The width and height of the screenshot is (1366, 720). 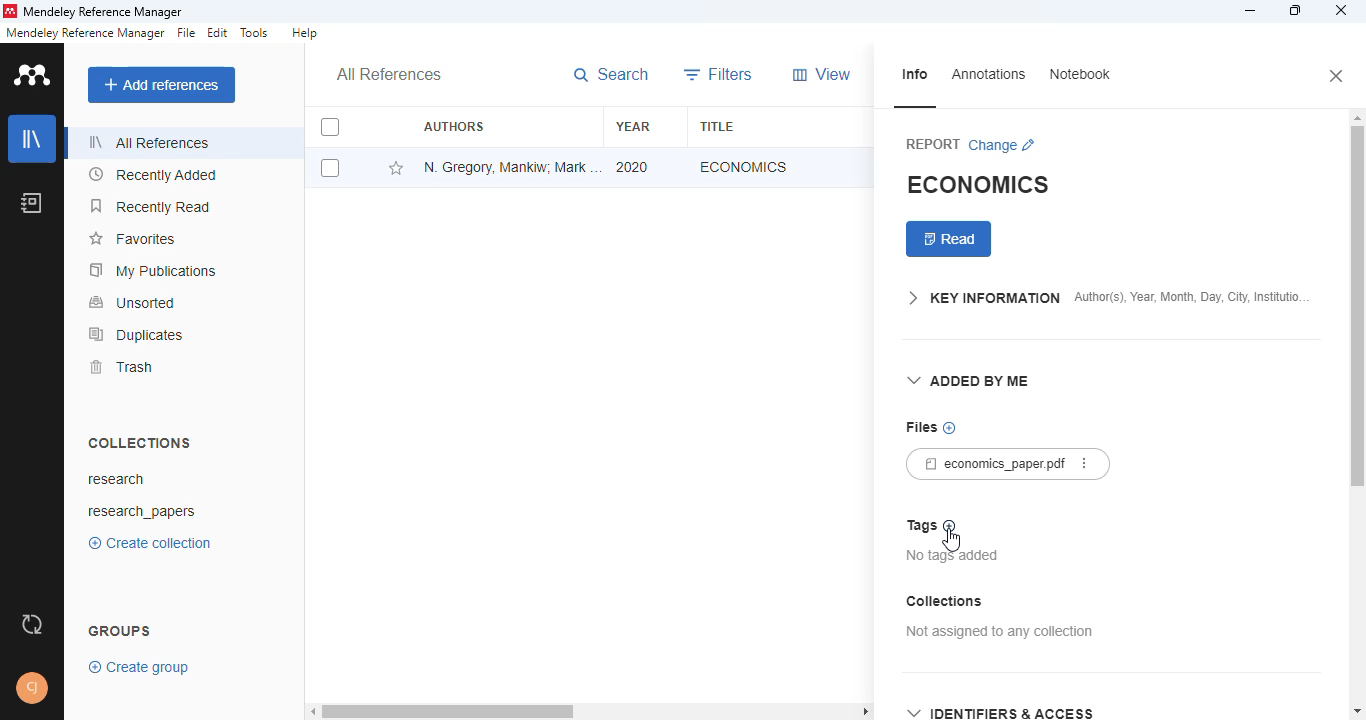 What do you see at coordinates (120, 631) in the screenshot?
I see `groups` at bounding box center [120, 631].